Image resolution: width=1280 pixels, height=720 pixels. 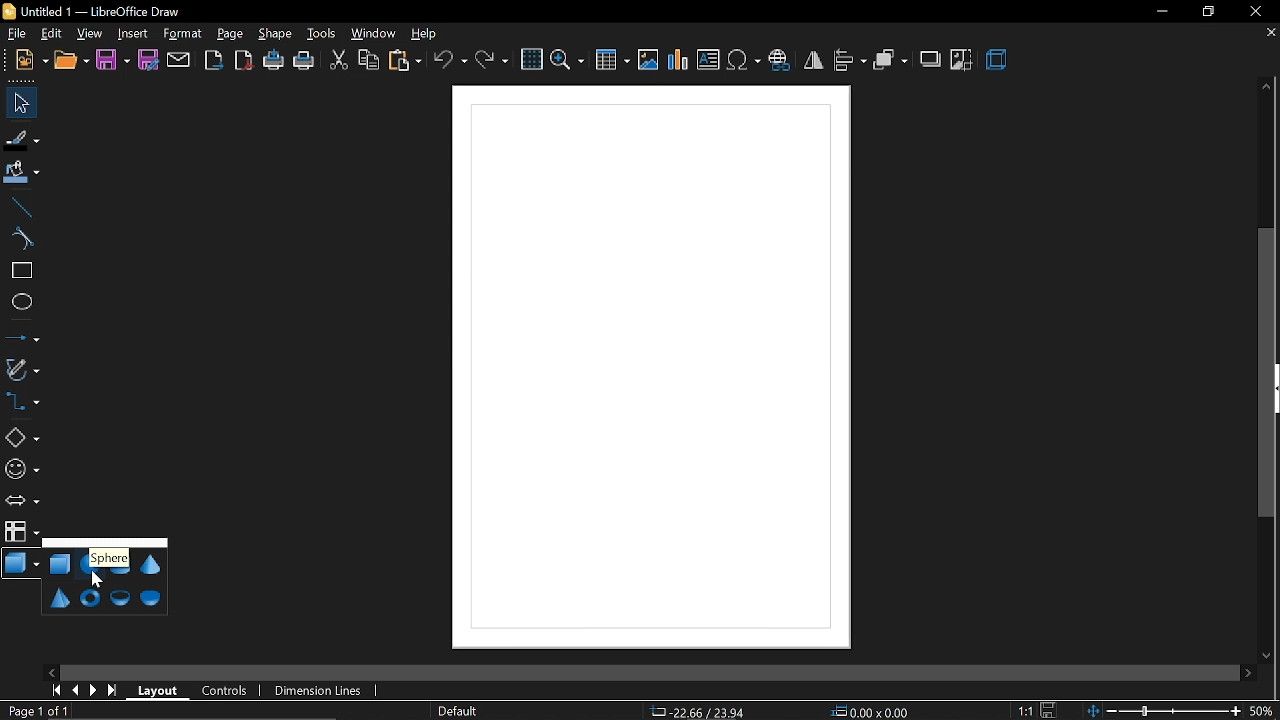 I want to click on move left, so click(x=53, y=673).